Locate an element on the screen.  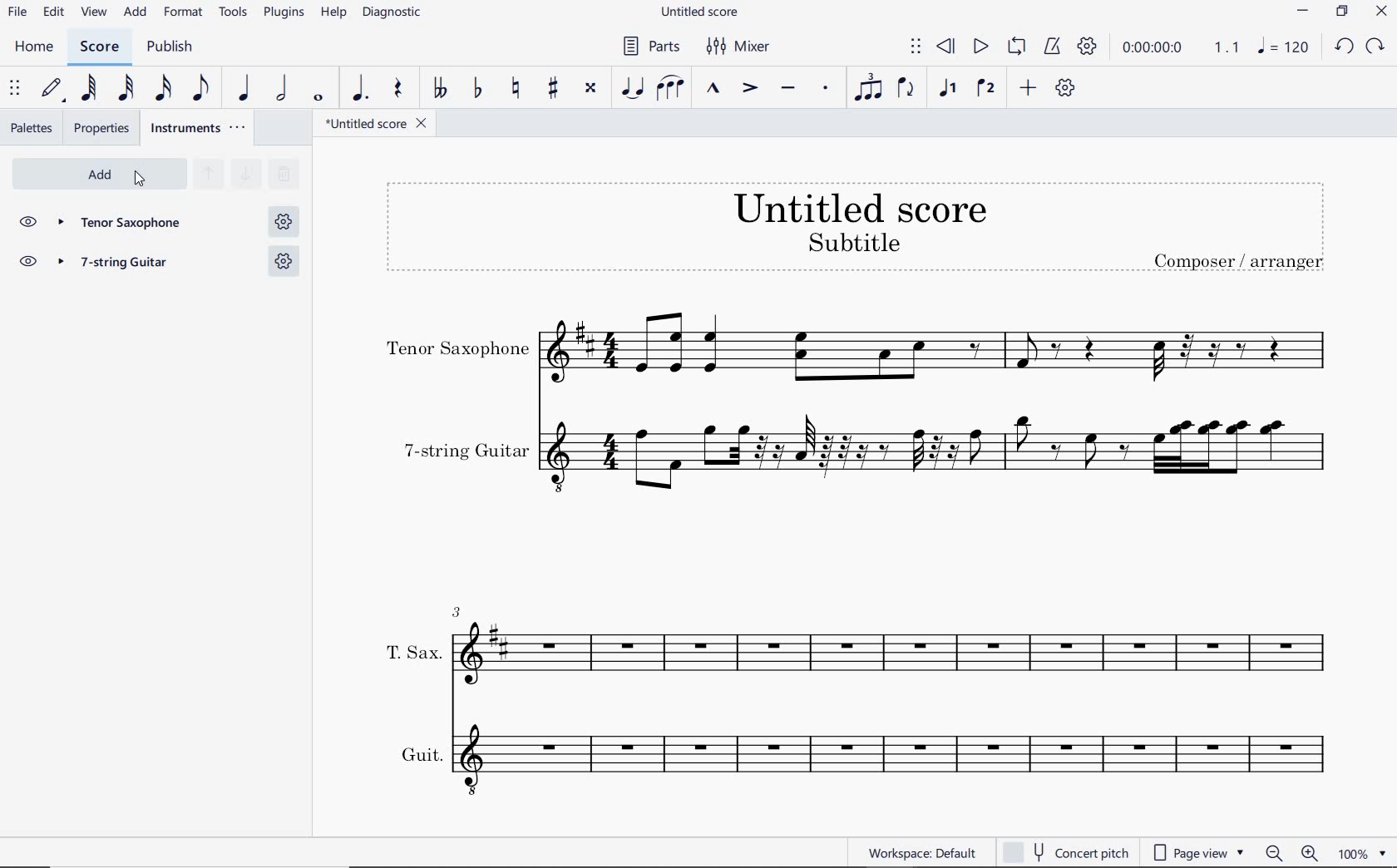
NOTE is located at coordinates (1283, 46).